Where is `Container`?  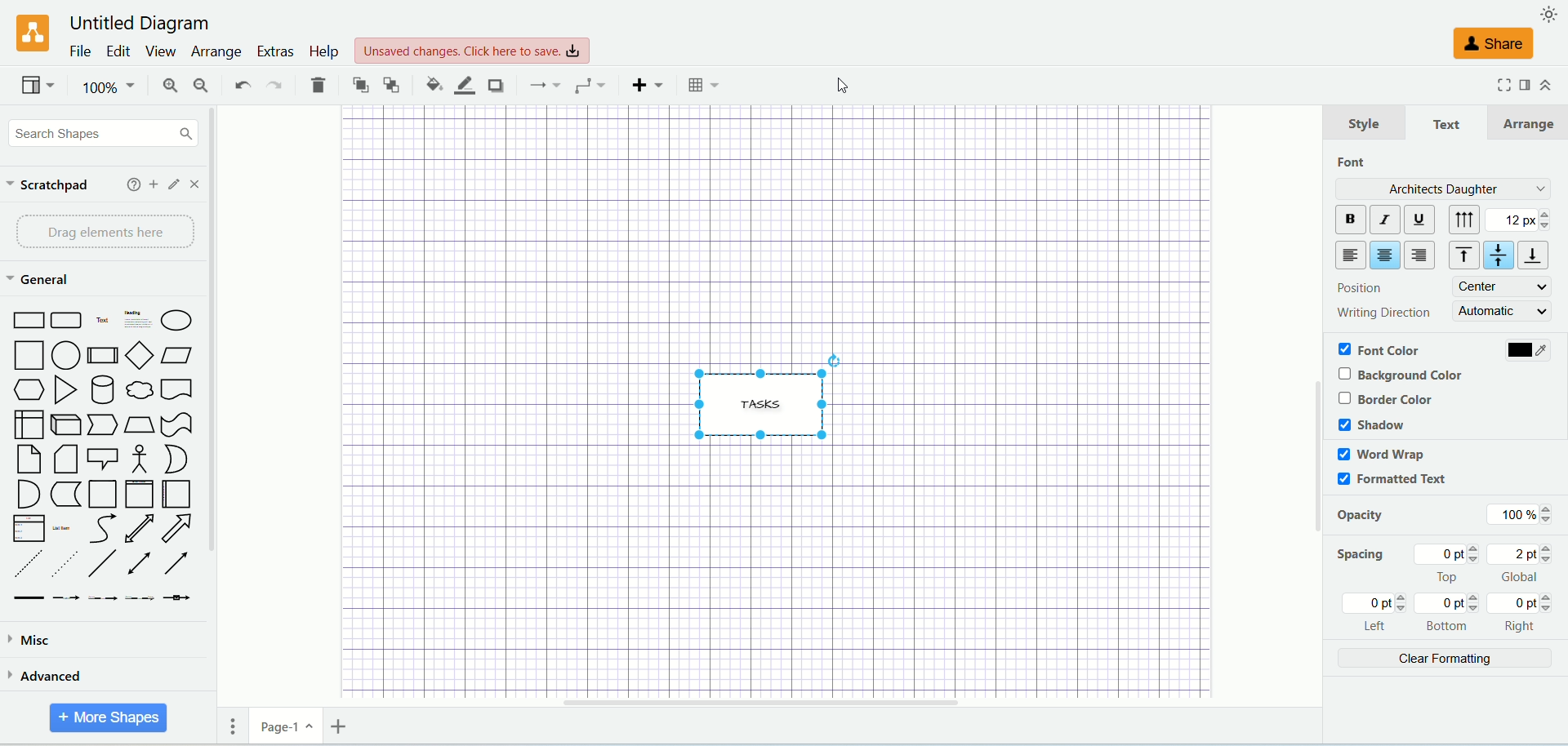
Container is located at coordinates (102, 494).